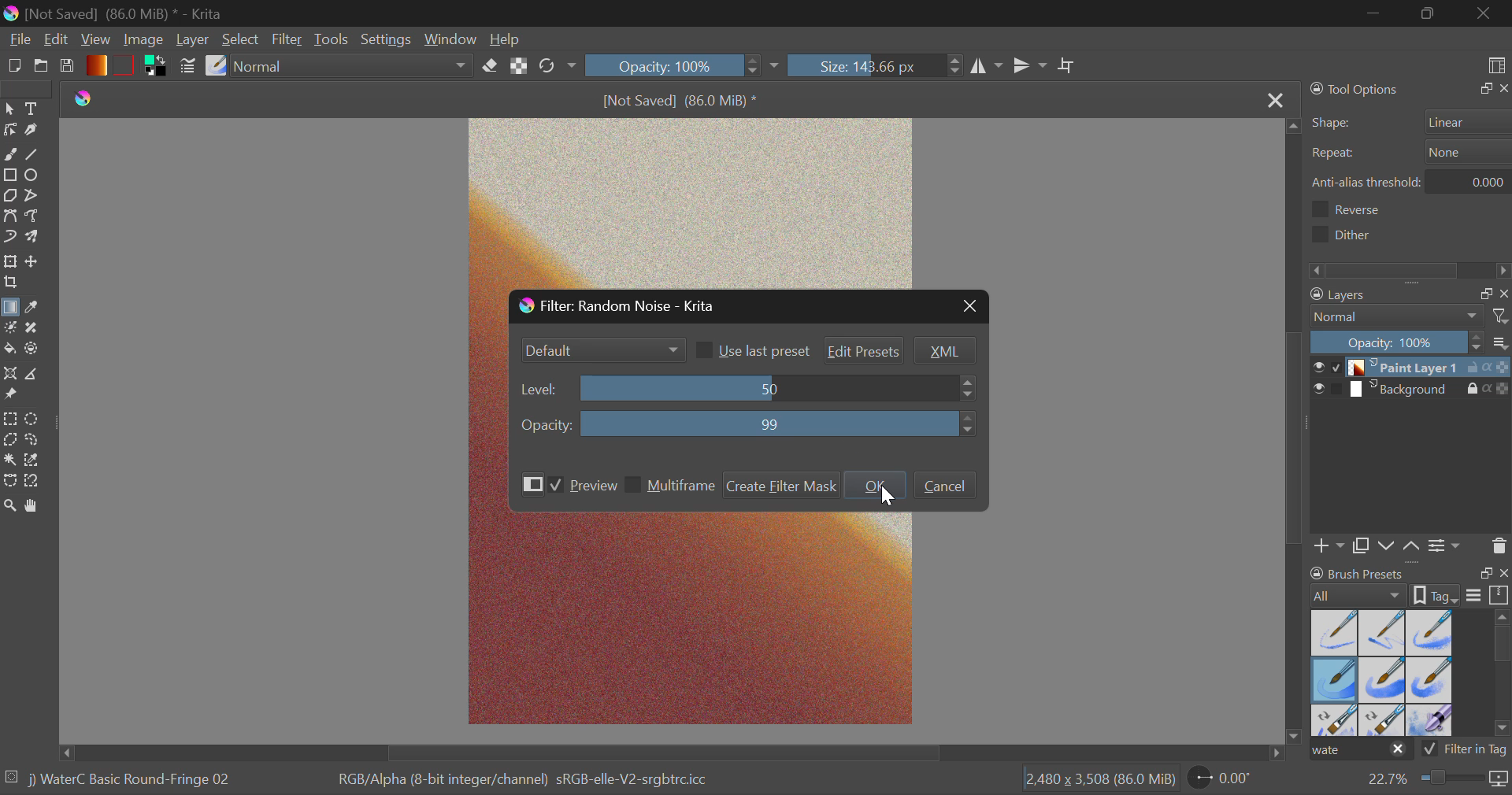 Image resolution: width=1512 pixels, height=795 pixels. What do you see at coordinates (1333, 154) in the screenshot?
I see `Repeat:` at bounding box center [1333, 154].